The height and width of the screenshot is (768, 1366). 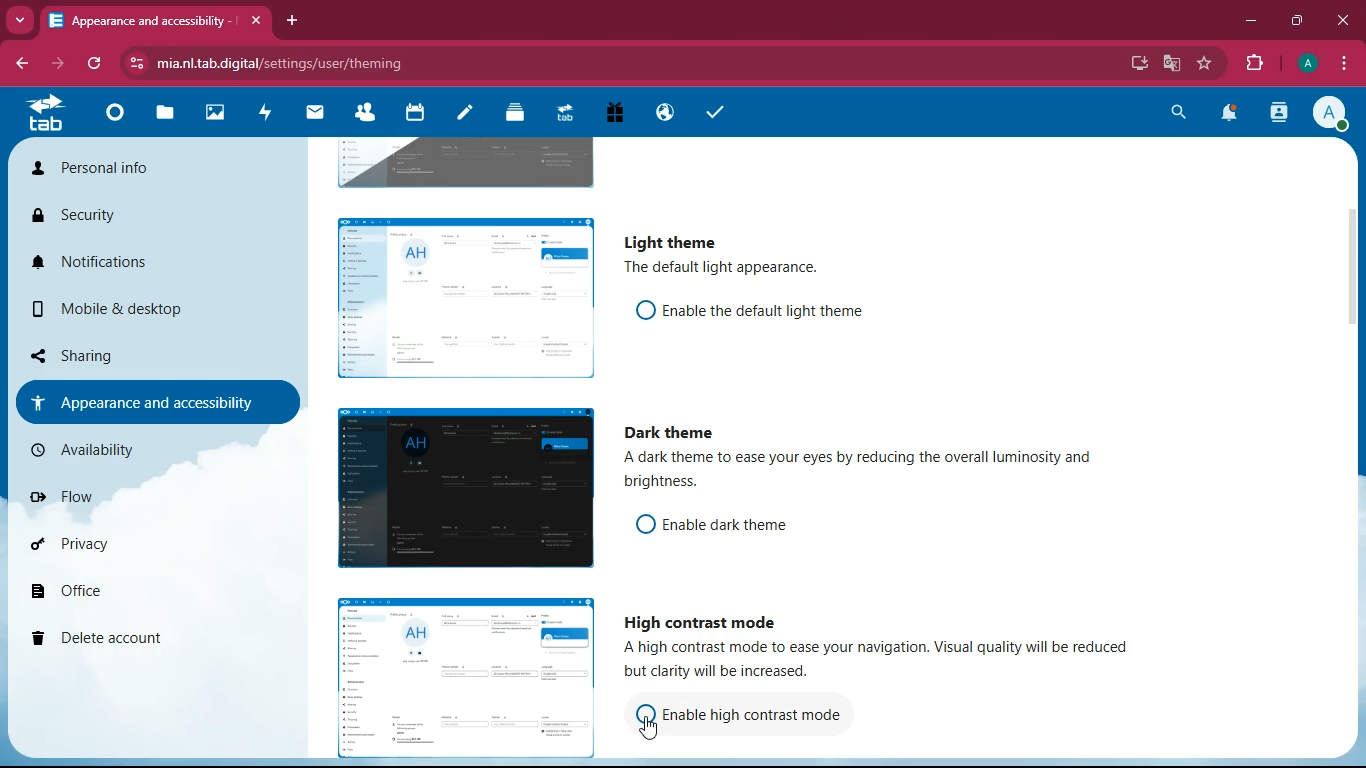 What do you see at coordinates (126, 595) in the screenshot?
I see `office` at bounding box center [126, 595].